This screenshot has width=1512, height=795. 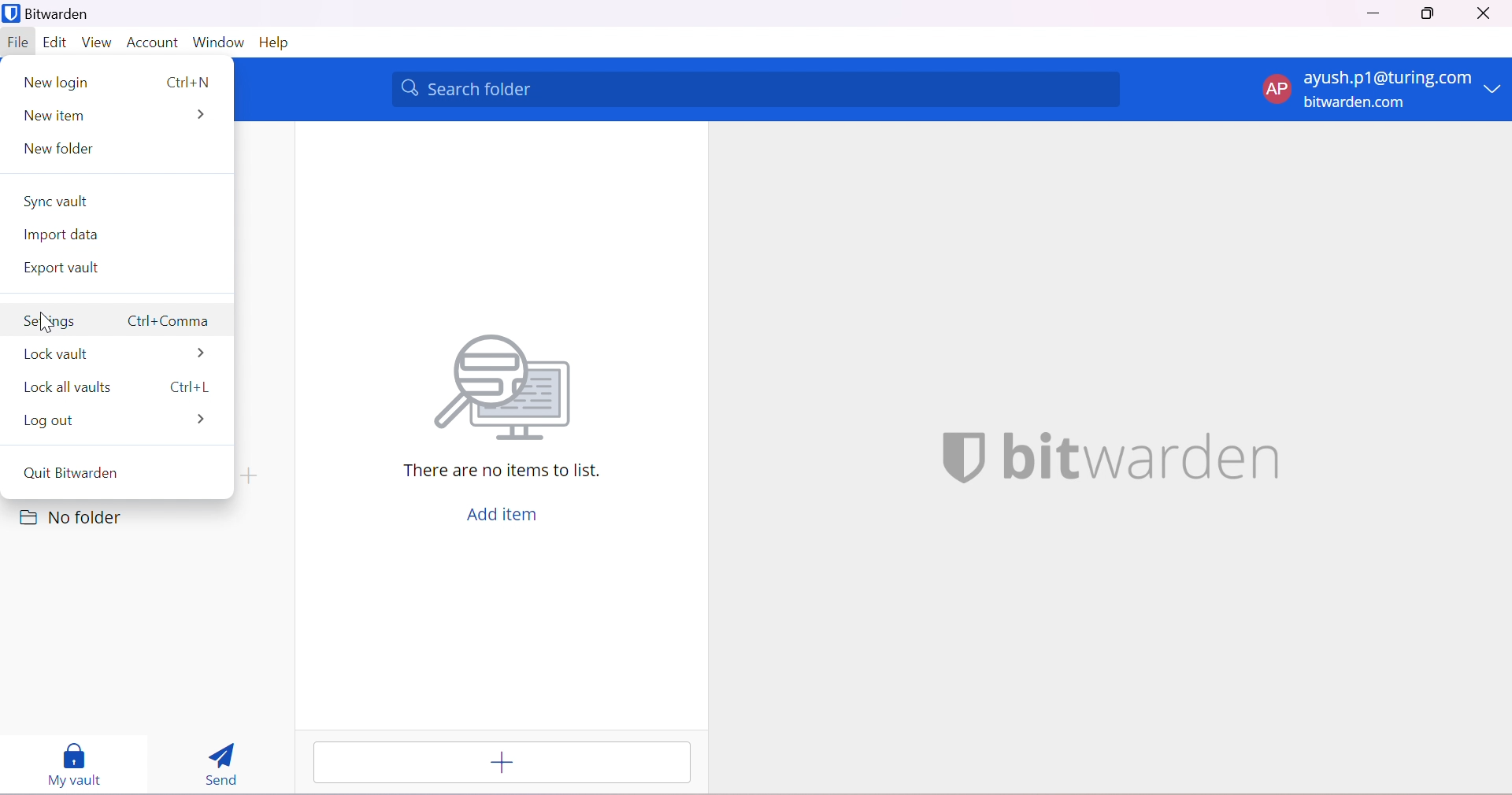 I want to click on Ctrl+l, so click(x=191, y=389).